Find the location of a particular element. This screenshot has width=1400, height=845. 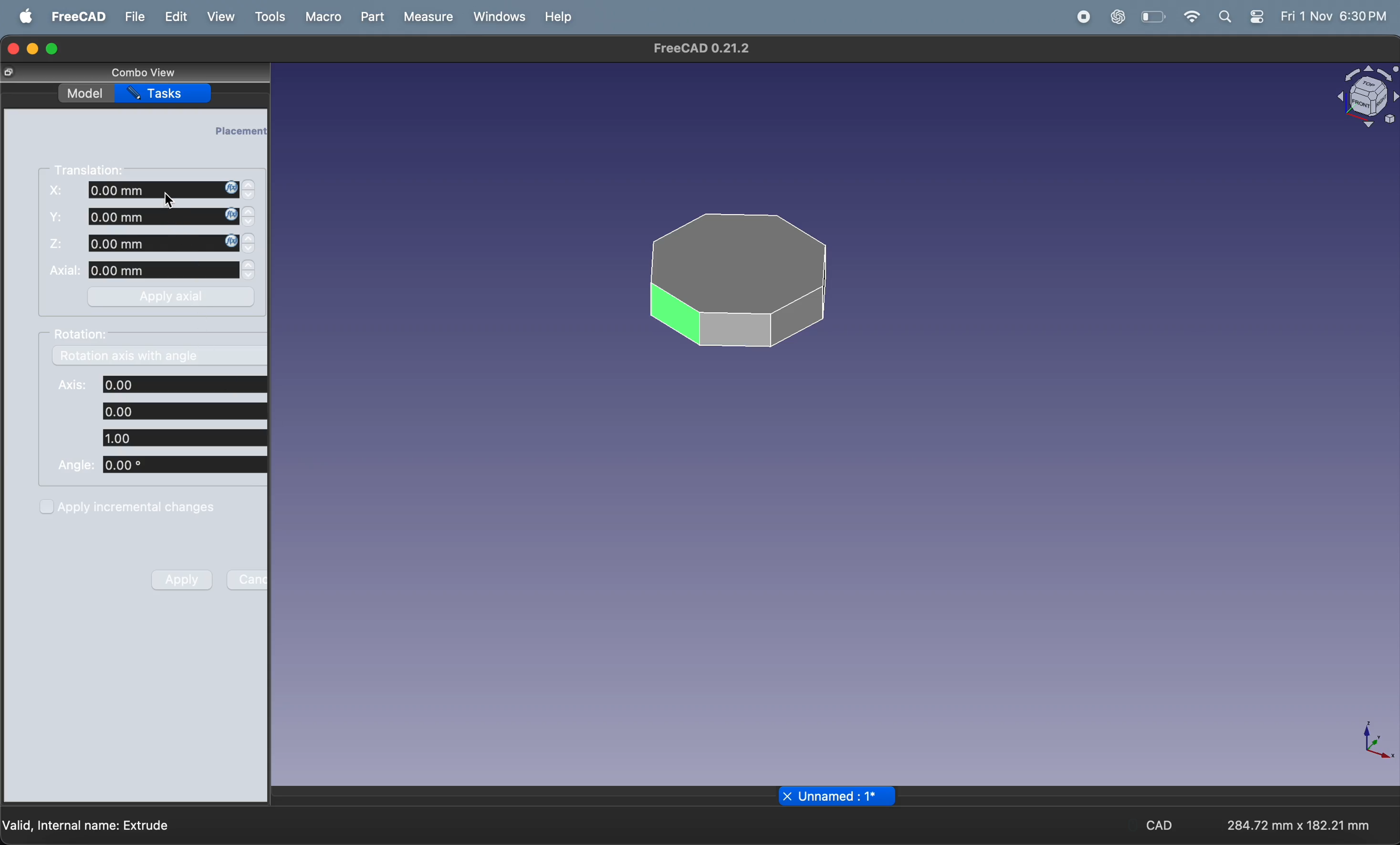

CAD is located at coordinates (1159, 826).